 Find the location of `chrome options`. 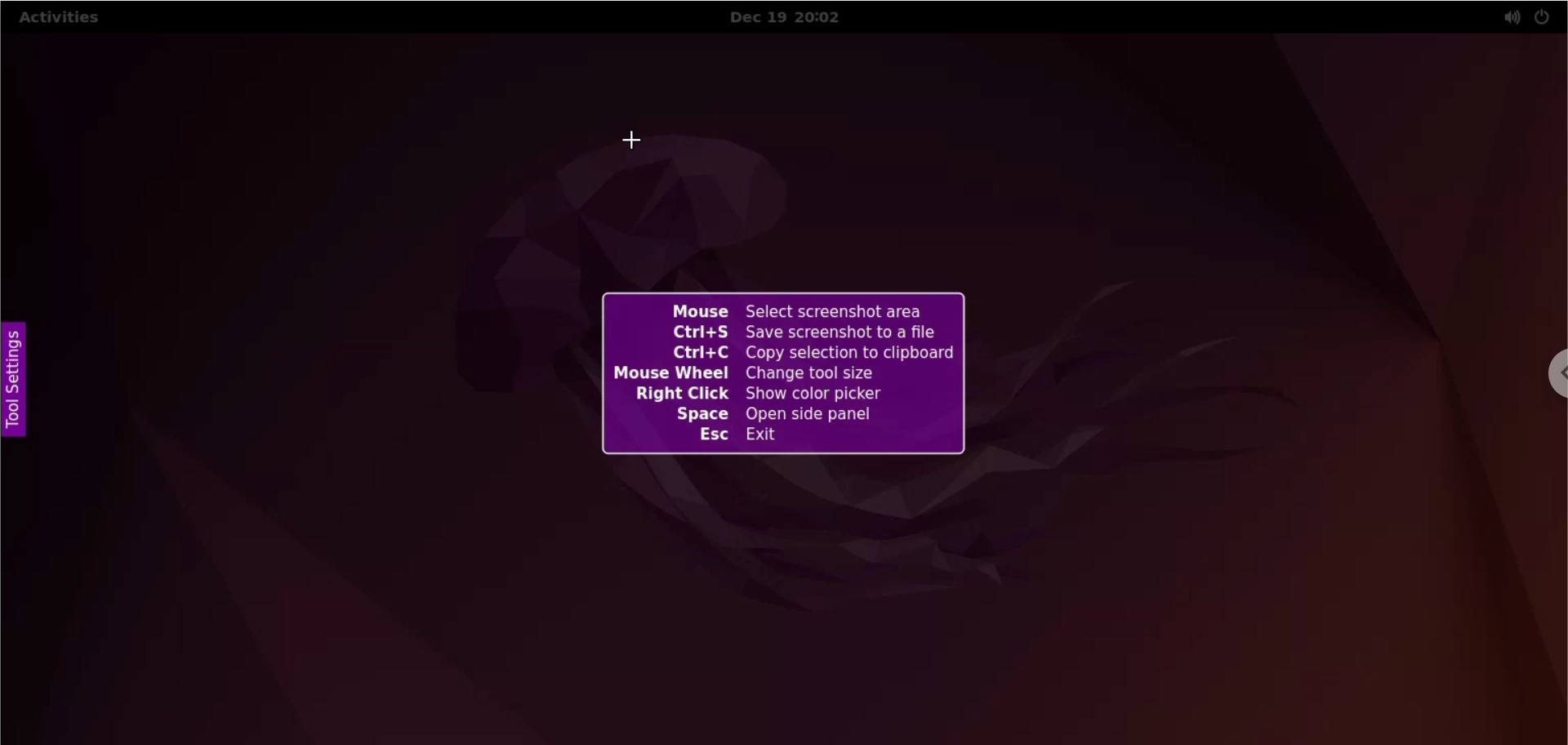

chrome options is located at coordinates (1552, 377).